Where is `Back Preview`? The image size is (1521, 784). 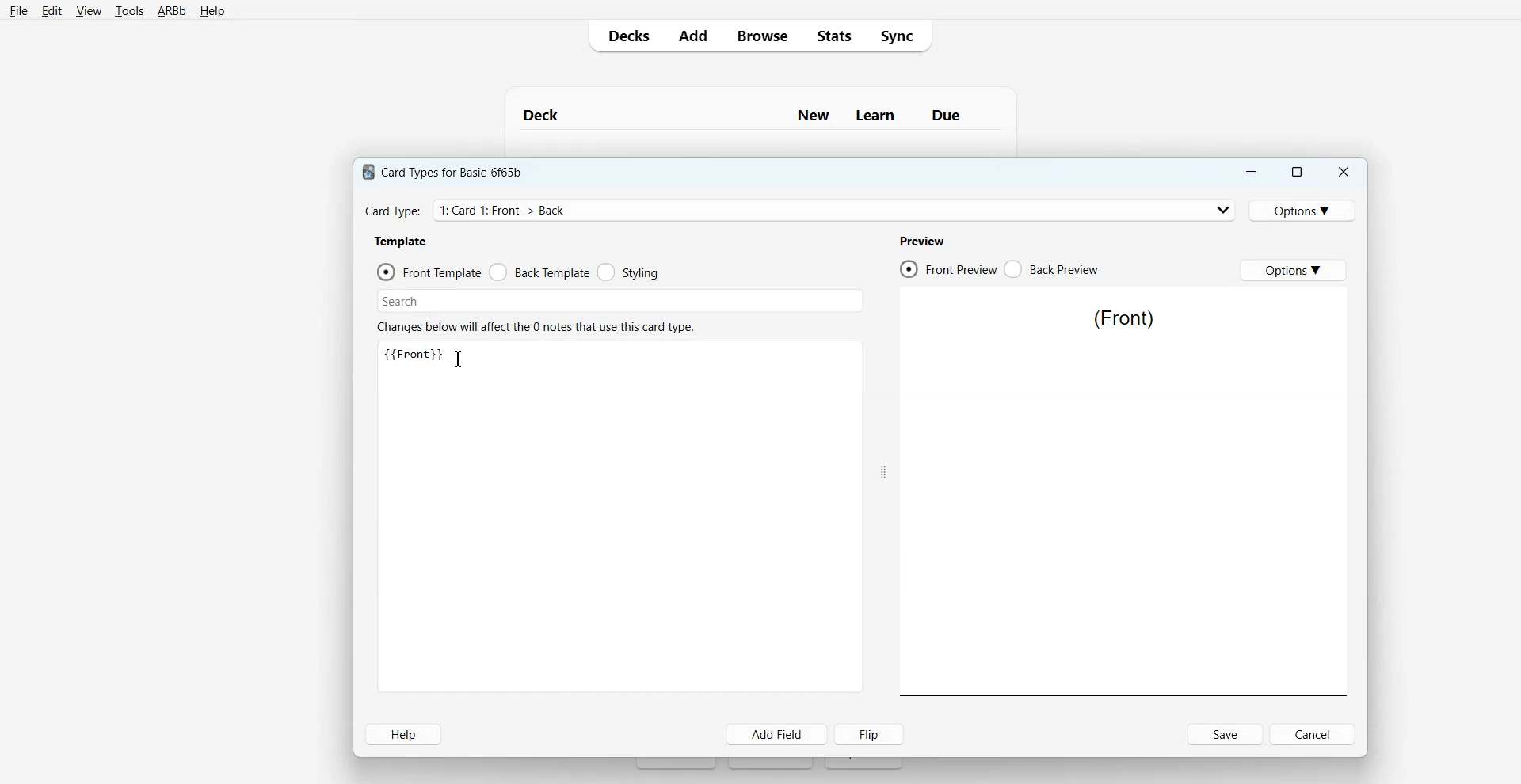 Back Preview is located at coordinates (1051, 268).